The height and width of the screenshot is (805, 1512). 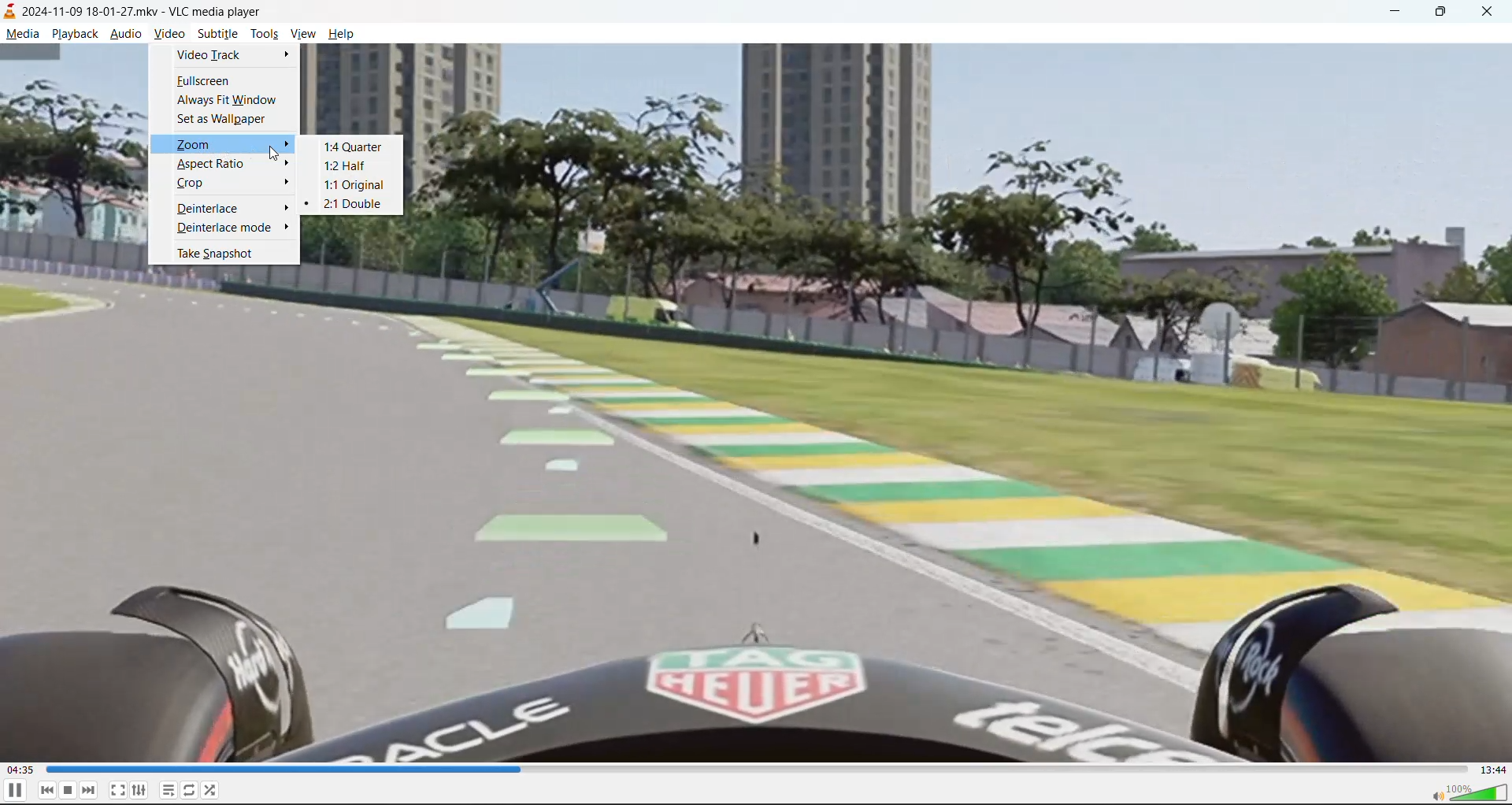 What do you see at coordinates (117, 790) in the screenshot?
I see `toggle fullscreen` at bounding box center [117, 790].